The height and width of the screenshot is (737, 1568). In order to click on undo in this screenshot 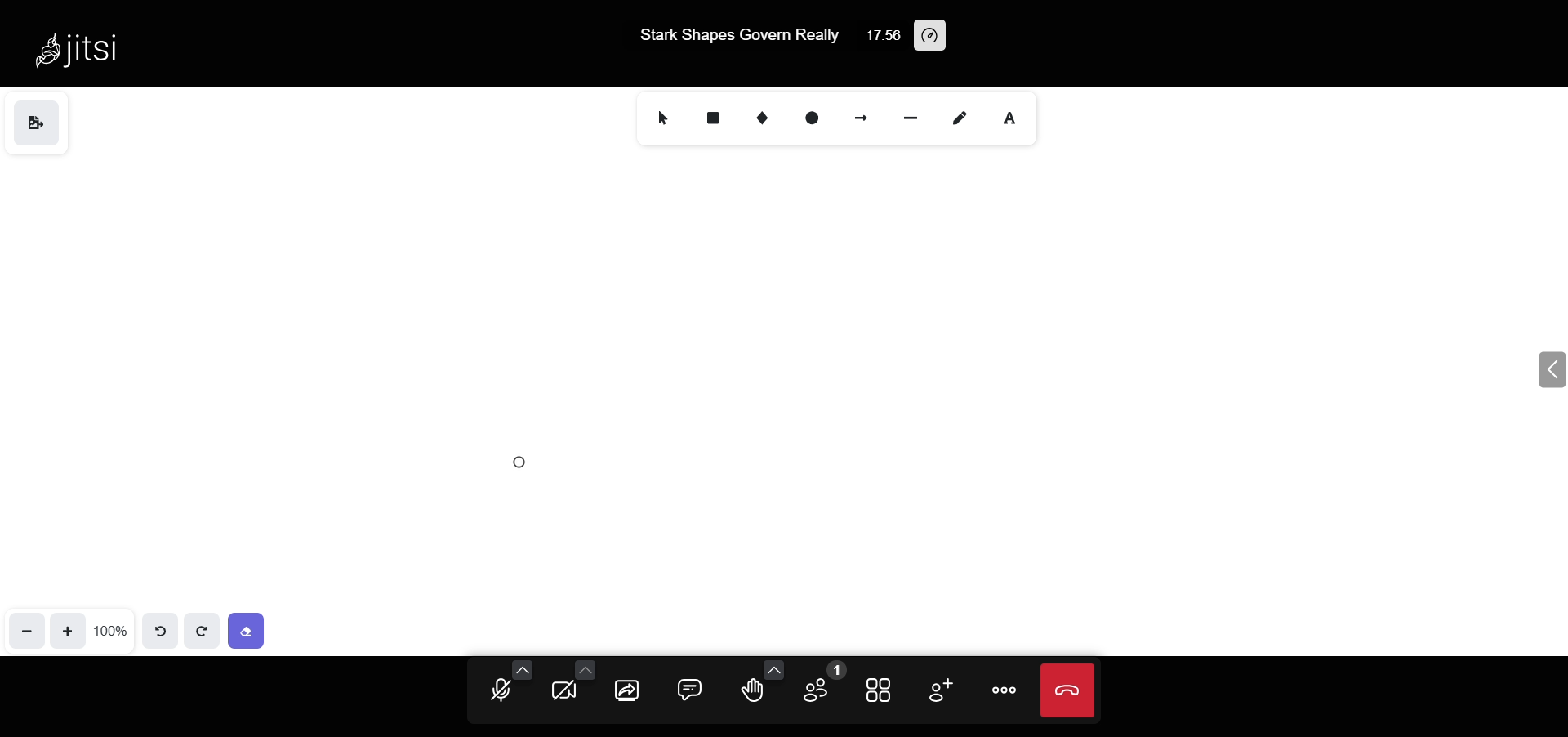, I will do `click(160, 630)`.